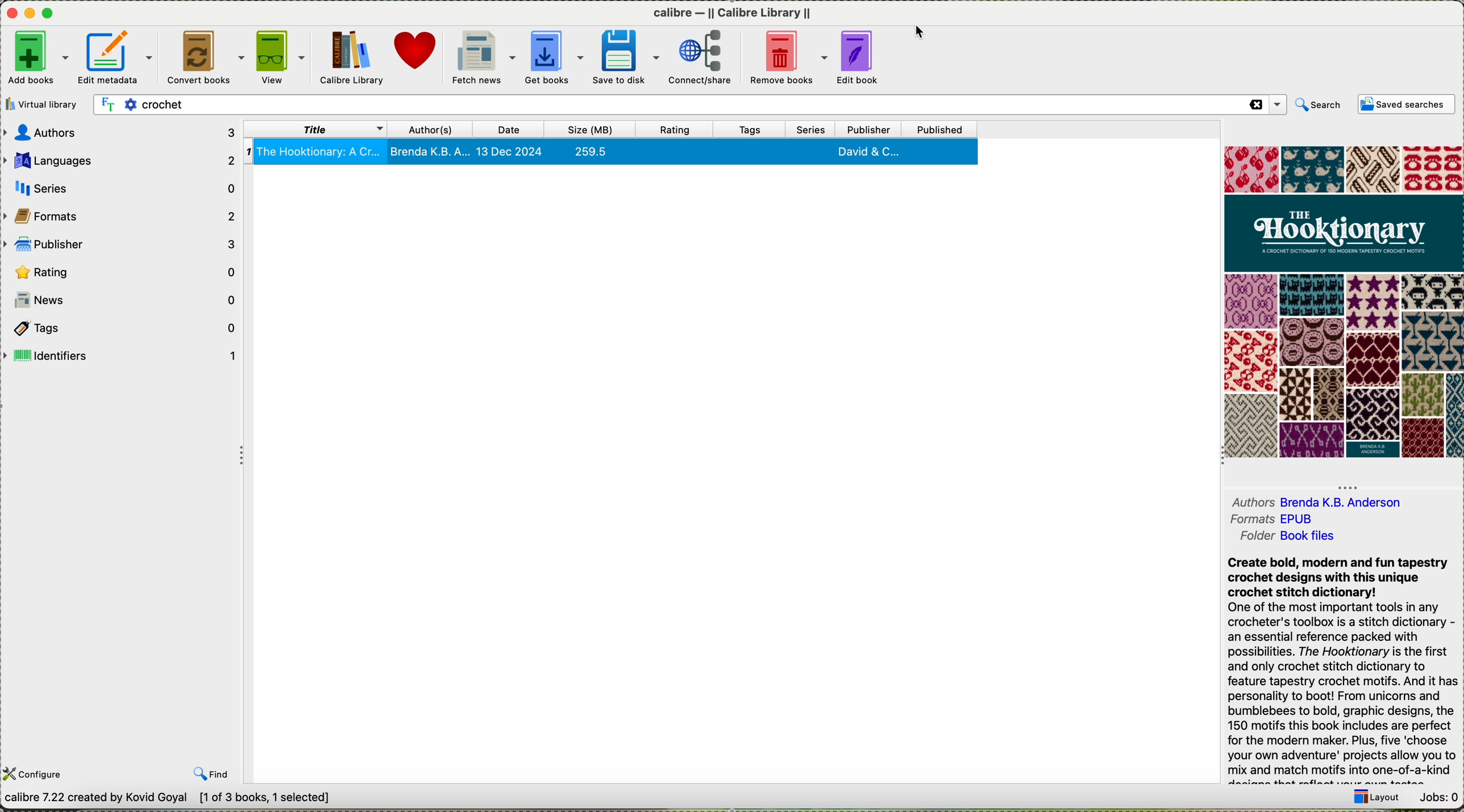 Image resolution: width=1464 pixels, height=812 pixels. Describe the element at coordinates (949, 129) in the screenshot. I see `published` at that location.